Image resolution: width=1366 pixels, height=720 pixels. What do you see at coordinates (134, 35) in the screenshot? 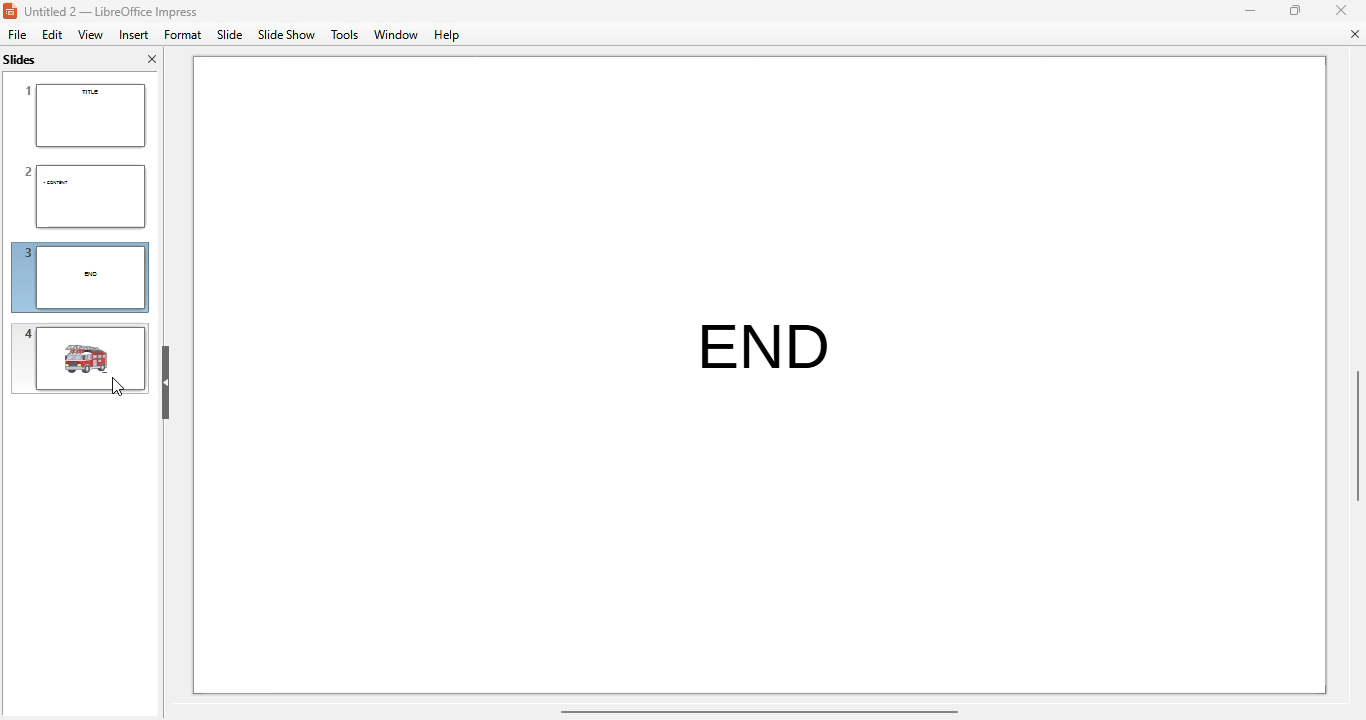
I see `insert` at bounding box center [134, 35].